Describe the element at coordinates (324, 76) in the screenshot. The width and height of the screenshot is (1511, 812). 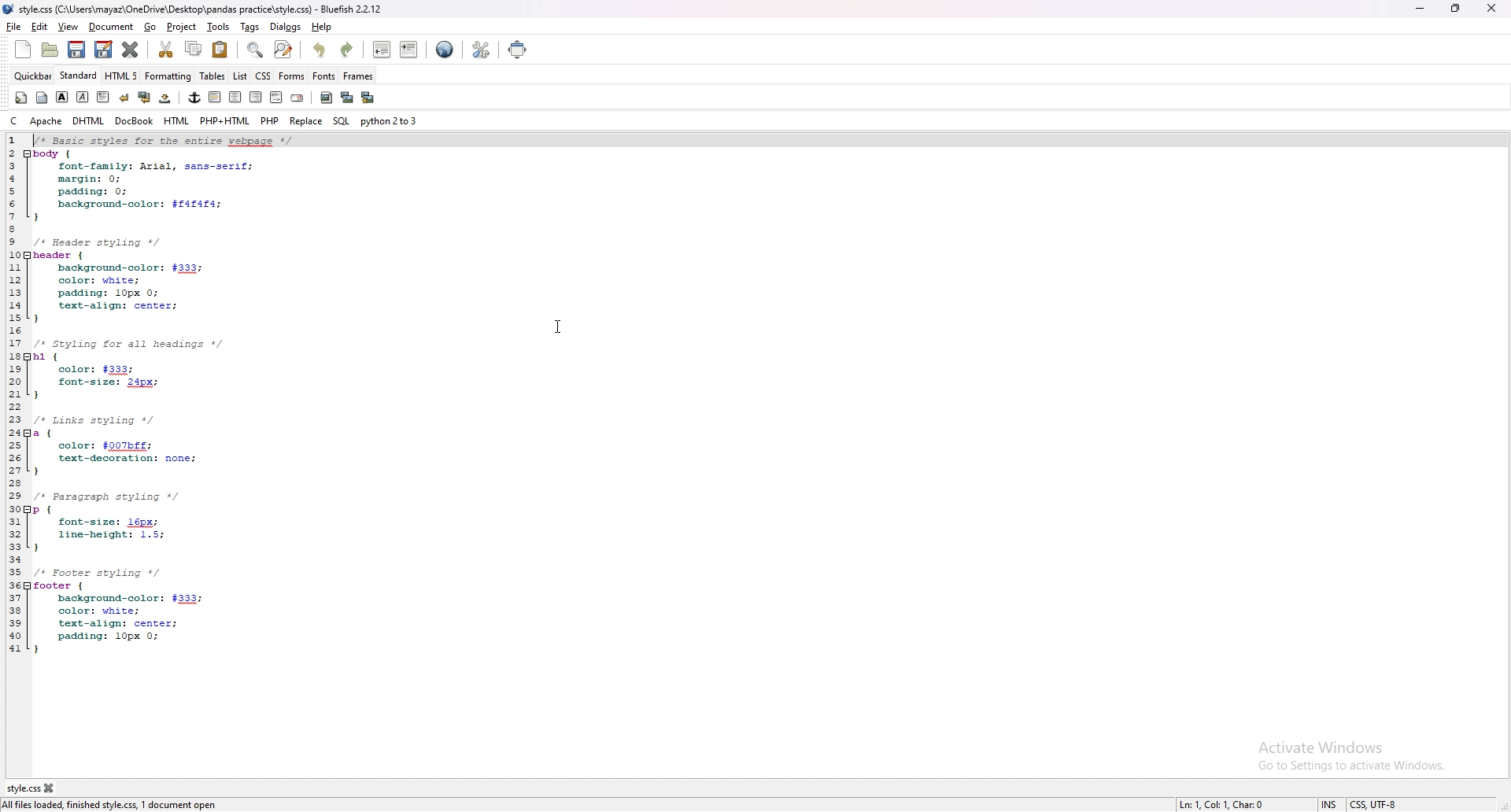
I see `fonts` at that location.